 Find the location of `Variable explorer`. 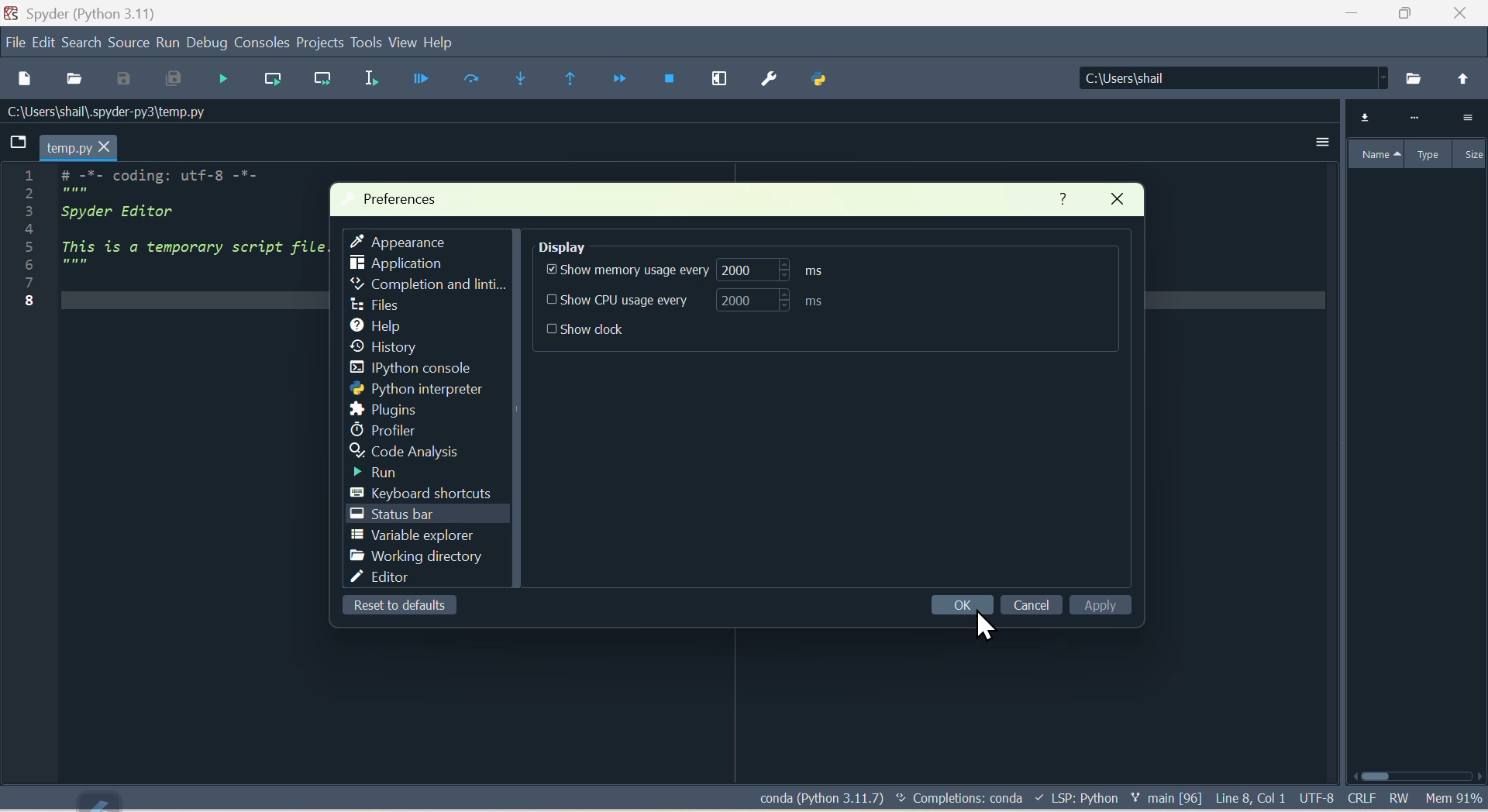

Variable explorer is located at coordinates (1413, 137).